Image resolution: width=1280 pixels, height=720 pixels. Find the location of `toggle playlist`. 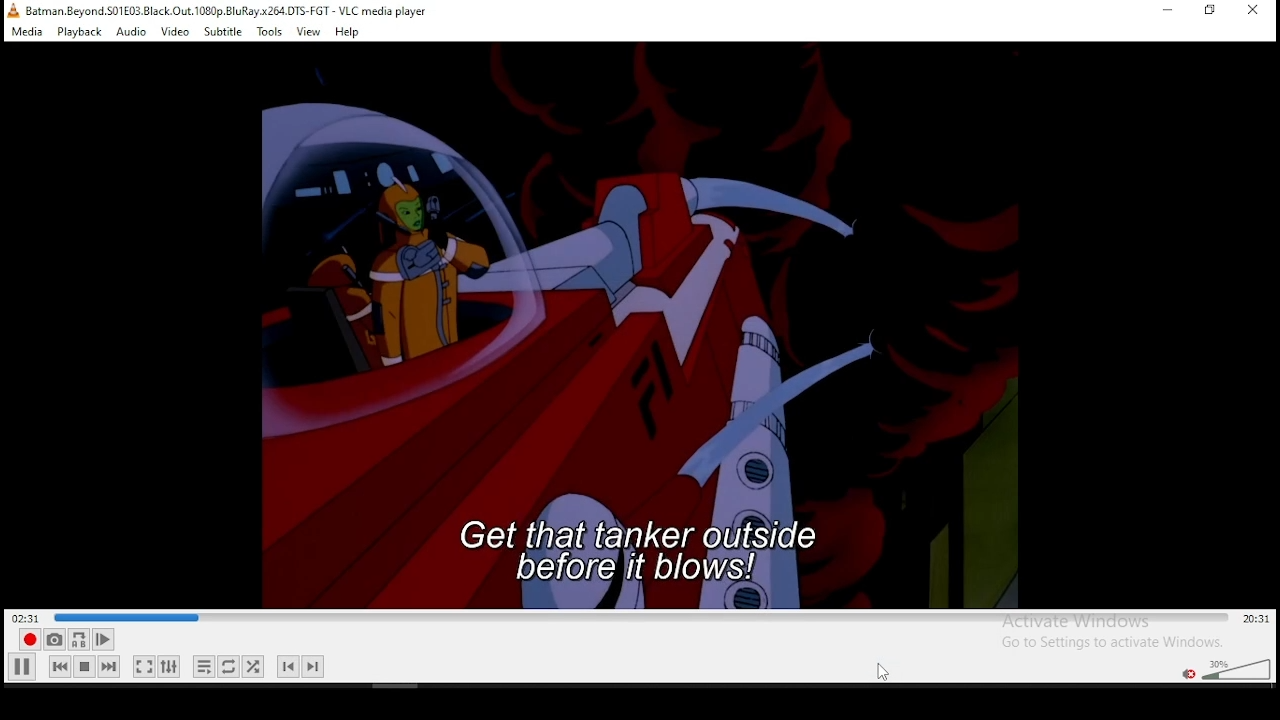

toggle playlist is located at coordinates (204, 666).